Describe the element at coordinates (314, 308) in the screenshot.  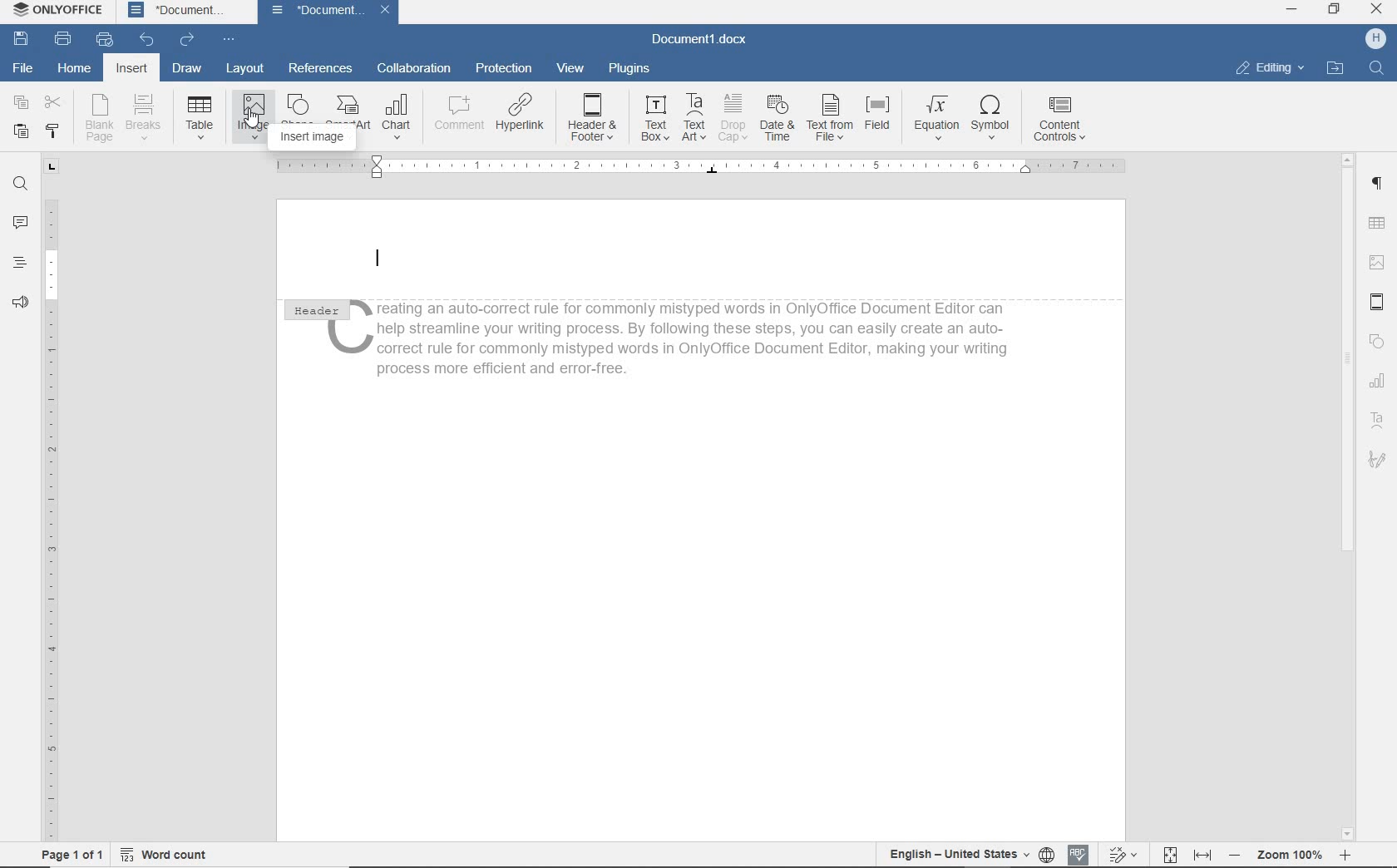
I see `HEADER` at that location.